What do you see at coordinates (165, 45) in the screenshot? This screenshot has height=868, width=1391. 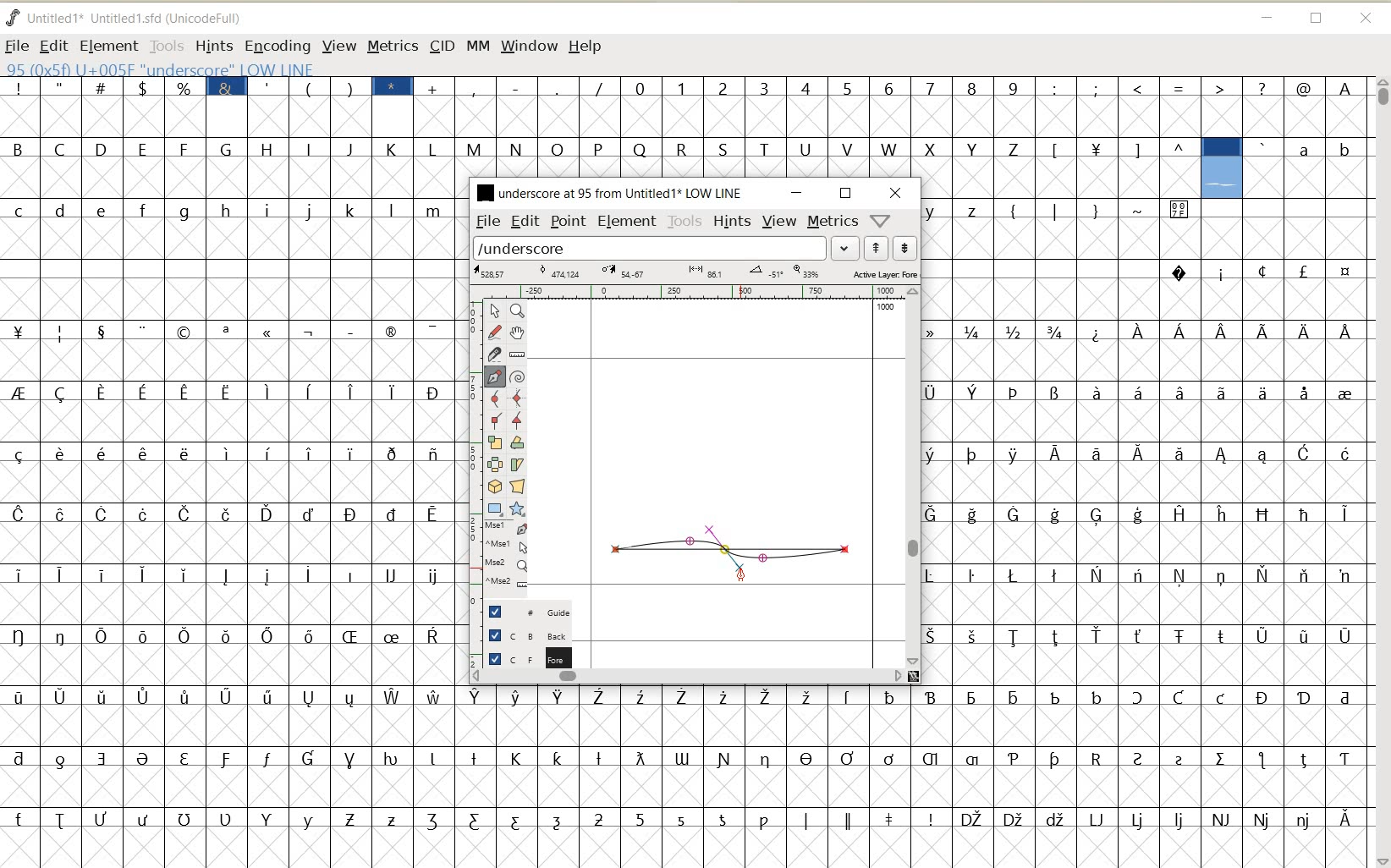 I see `TOOLS` at bounding box center [165, 45].